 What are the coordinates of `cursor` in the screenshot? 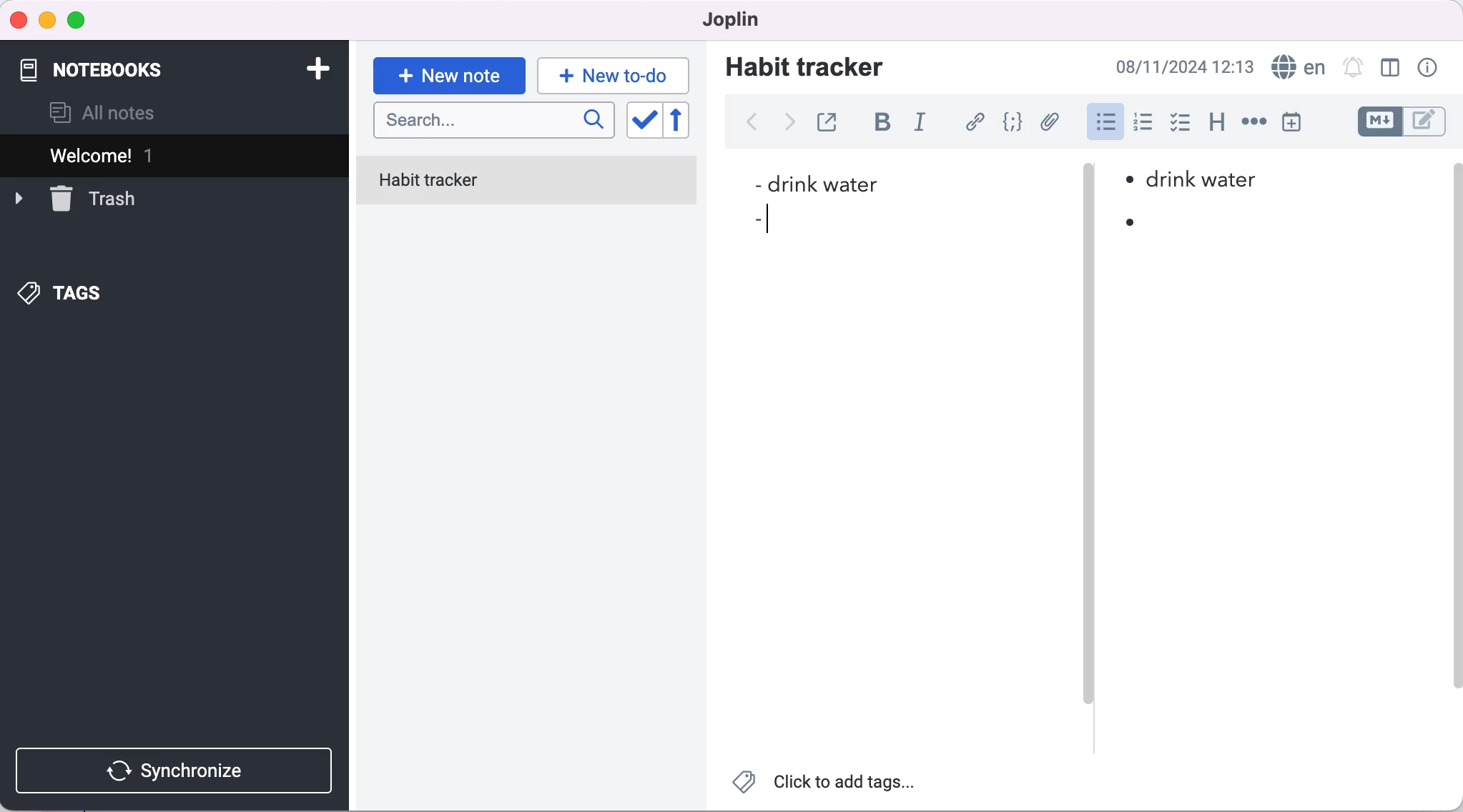 It's located at (769, 225).